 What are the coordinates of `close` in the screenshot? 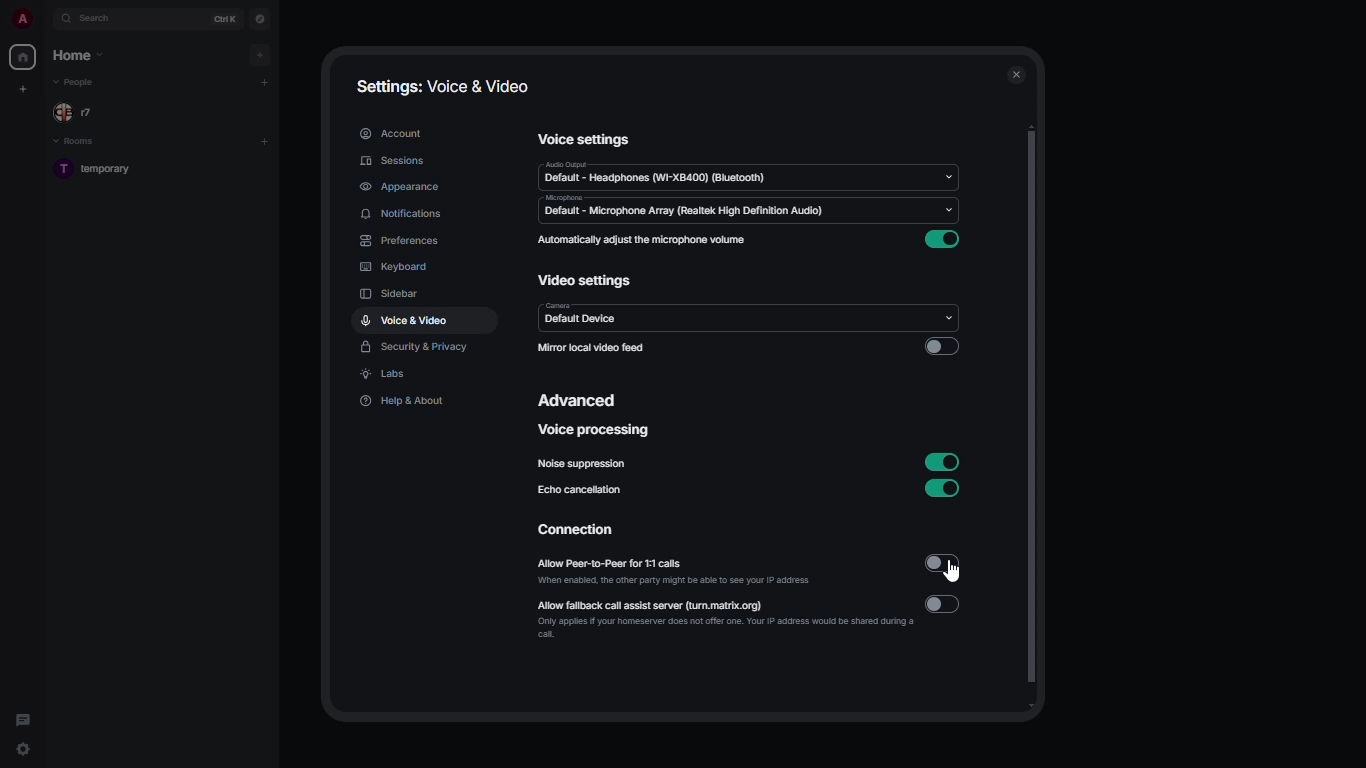 It's located at (1017, 71).